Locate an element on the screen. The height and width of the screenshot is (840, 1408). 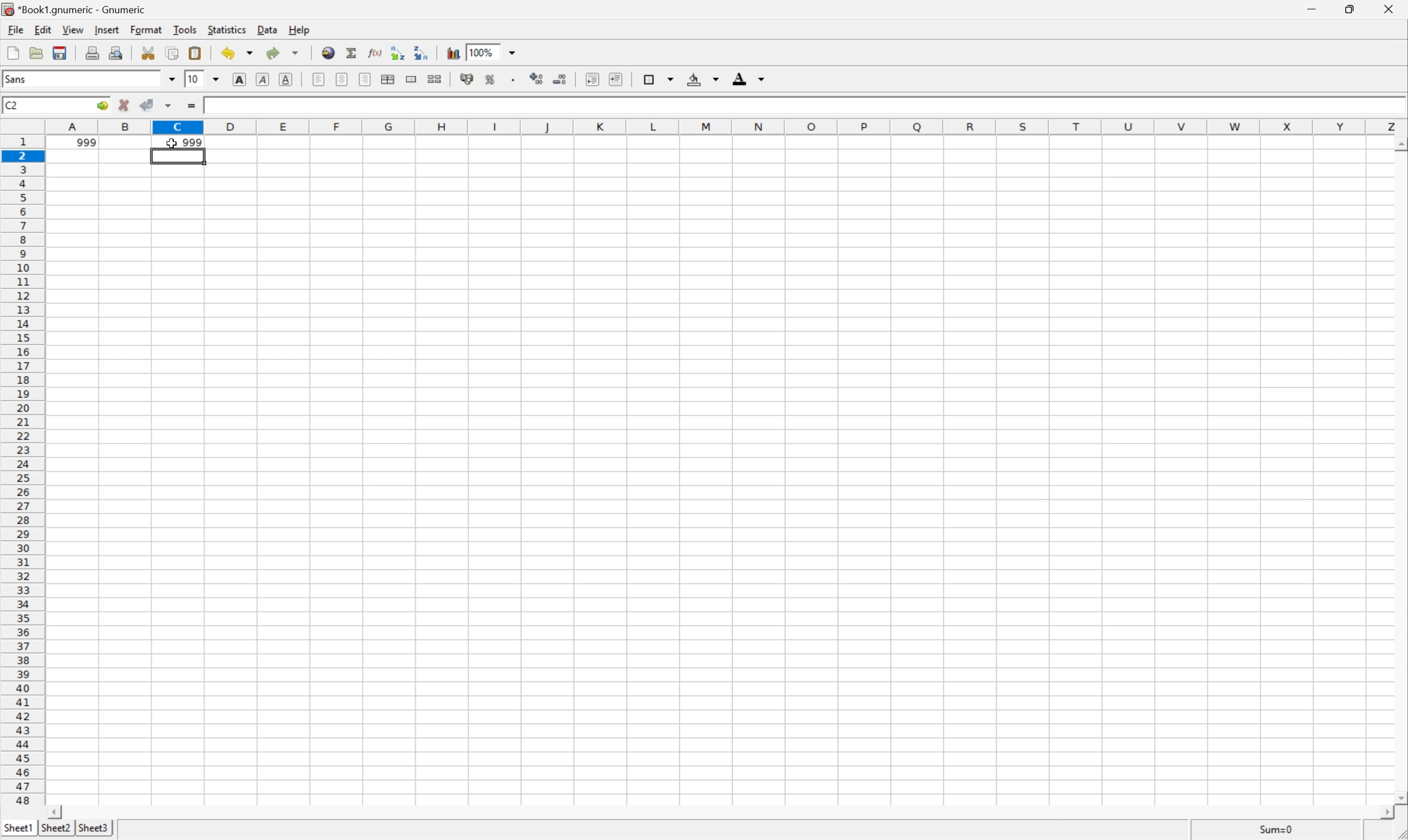
accept changes across selections is located at coordinates (157, 105).